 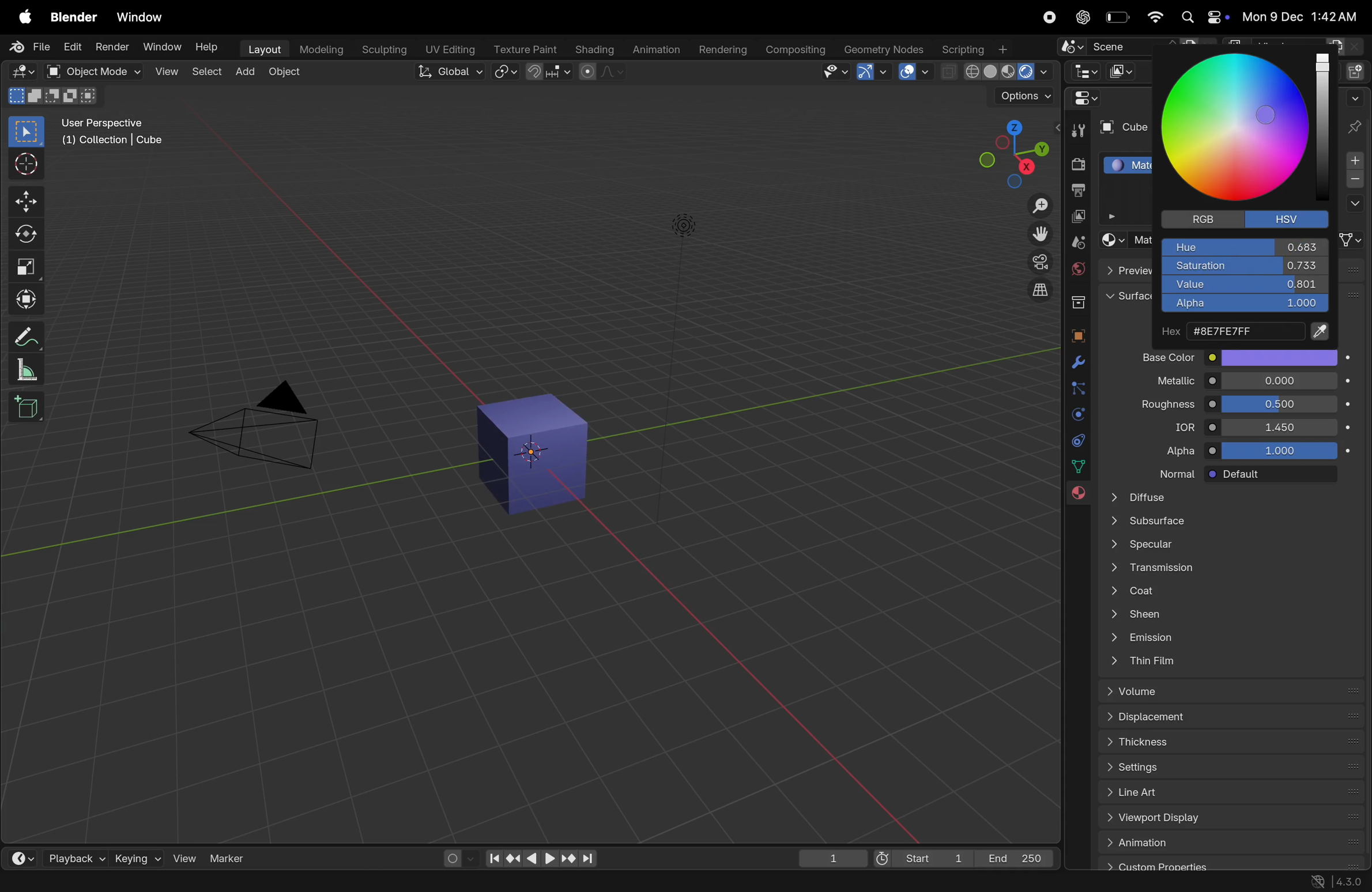 I want to click on rgb, so click(x=1199, y=219).